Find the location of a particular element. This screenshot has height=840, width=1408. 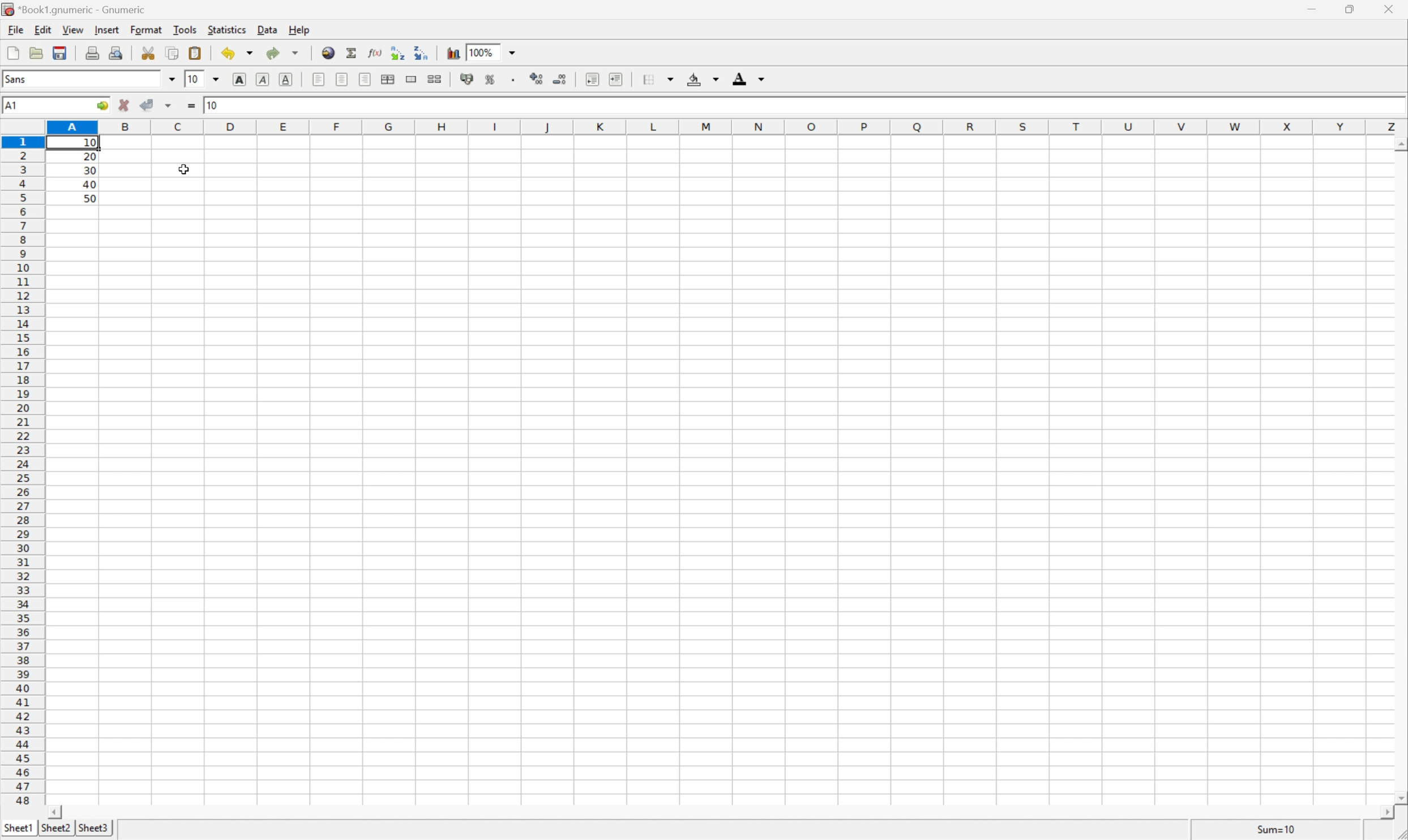

Help is located at coordinates (301, 28).